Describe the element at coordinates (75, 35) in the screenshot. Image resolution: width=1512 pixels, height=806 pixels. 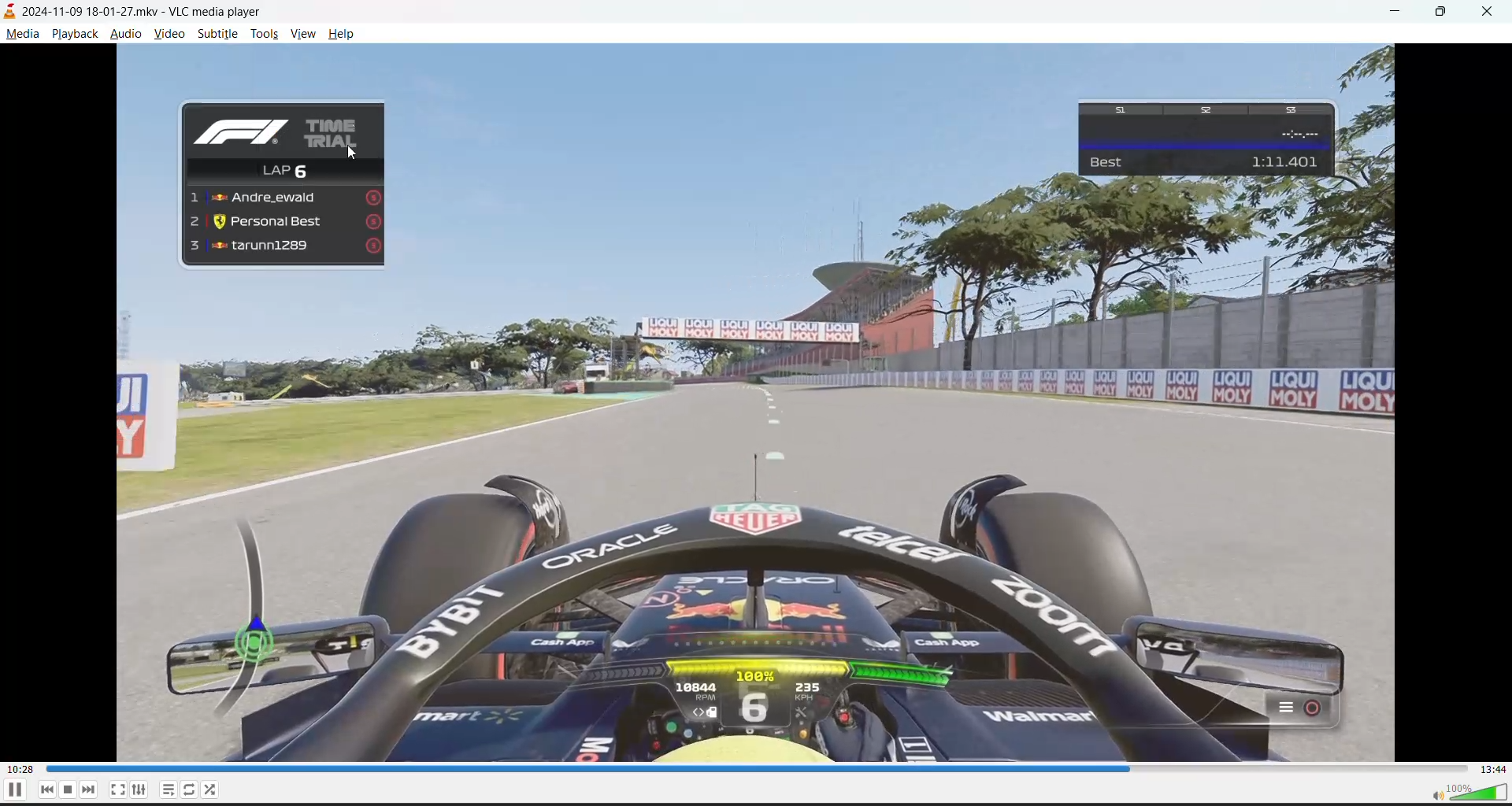
I see `playback` at that location.